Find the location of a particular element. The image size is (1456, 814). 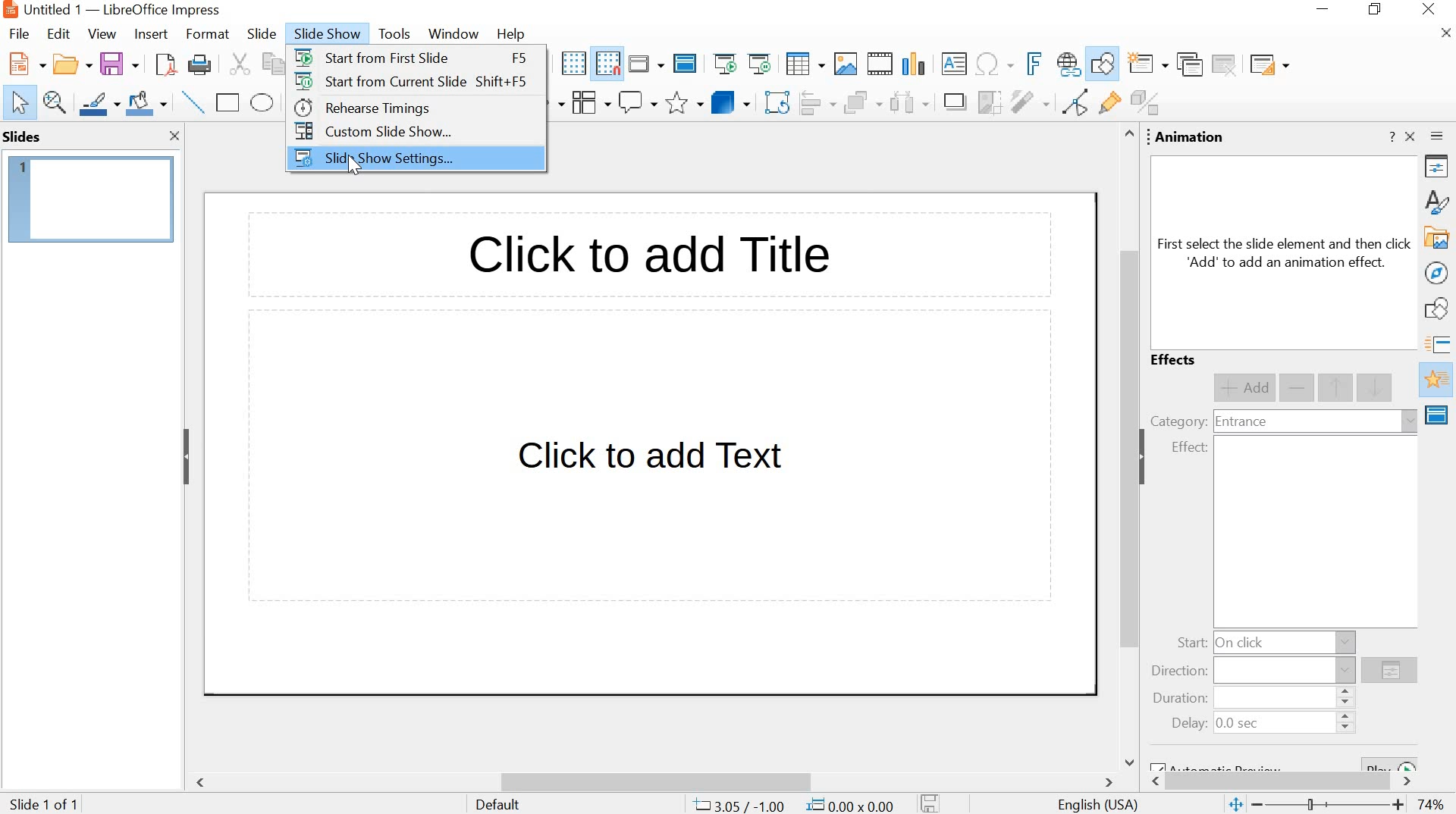

duplicate slide is located at coordinates (1188, 65).